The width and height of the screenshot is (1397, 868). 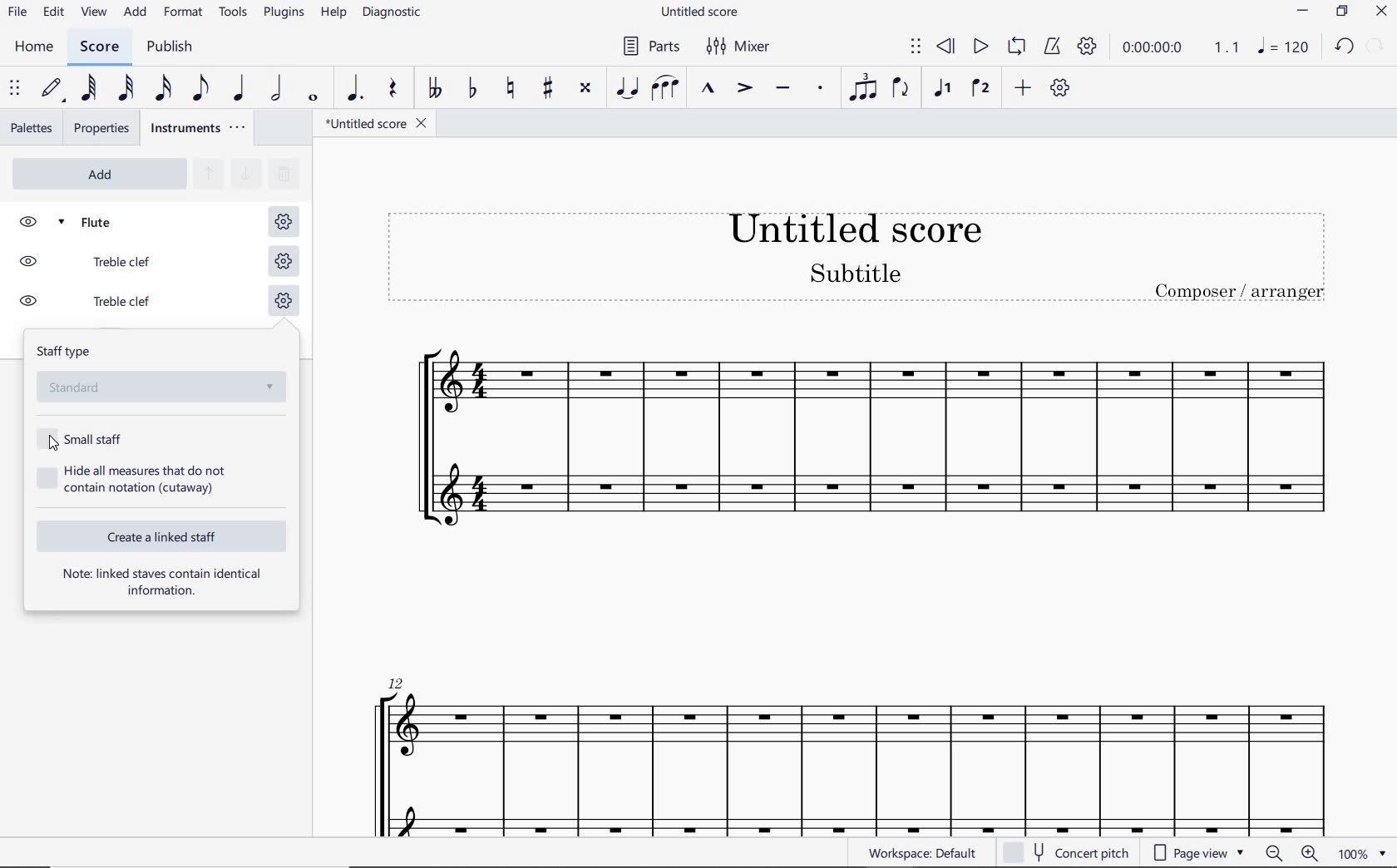 What do you see at coordinates (699, 11) in the screenshot?
I see `FILE NAME` at bounding box center [699, 11].